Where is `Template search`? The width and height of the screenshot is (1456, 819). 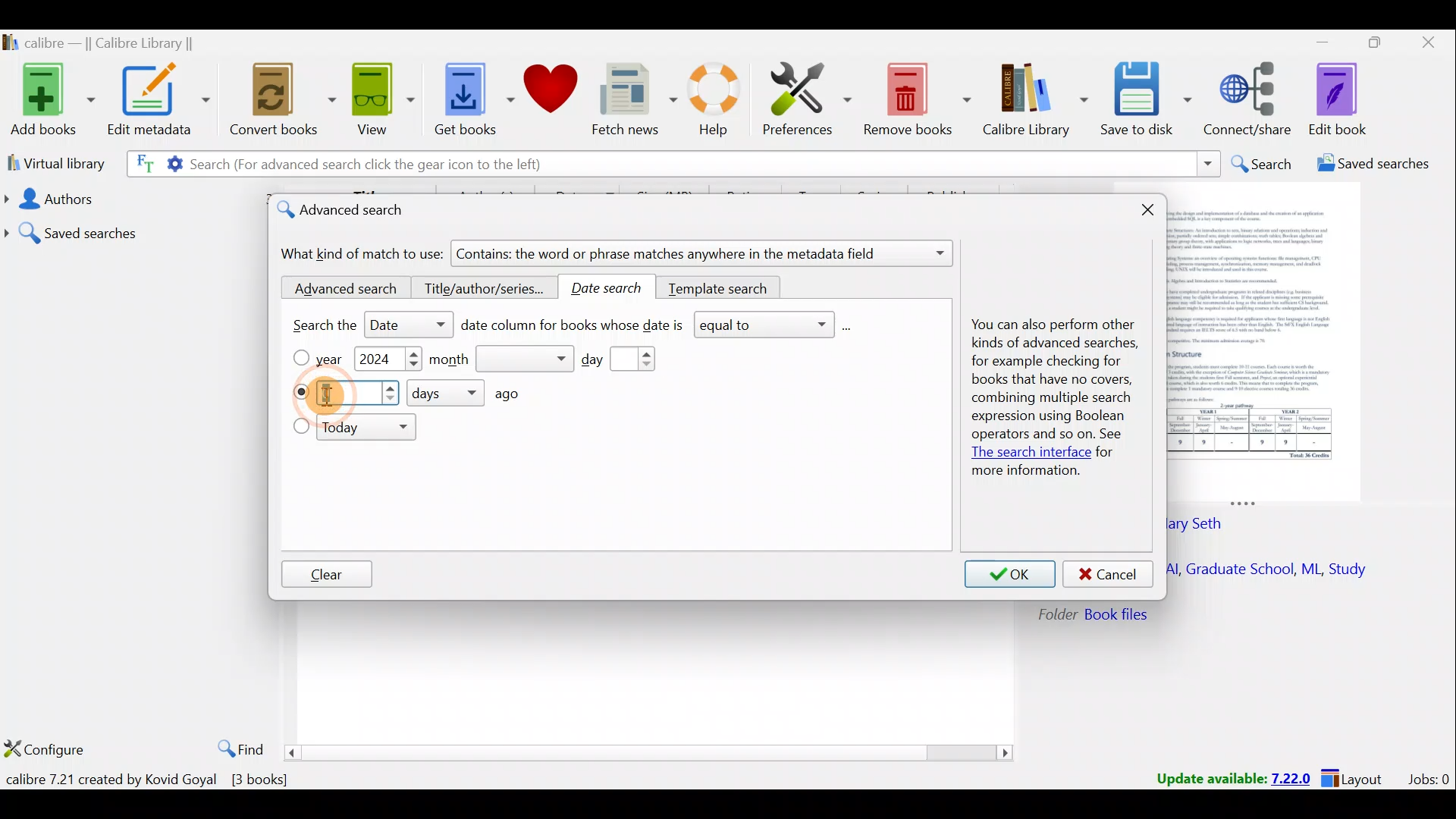
Template search is located at coordinates (720, 286).